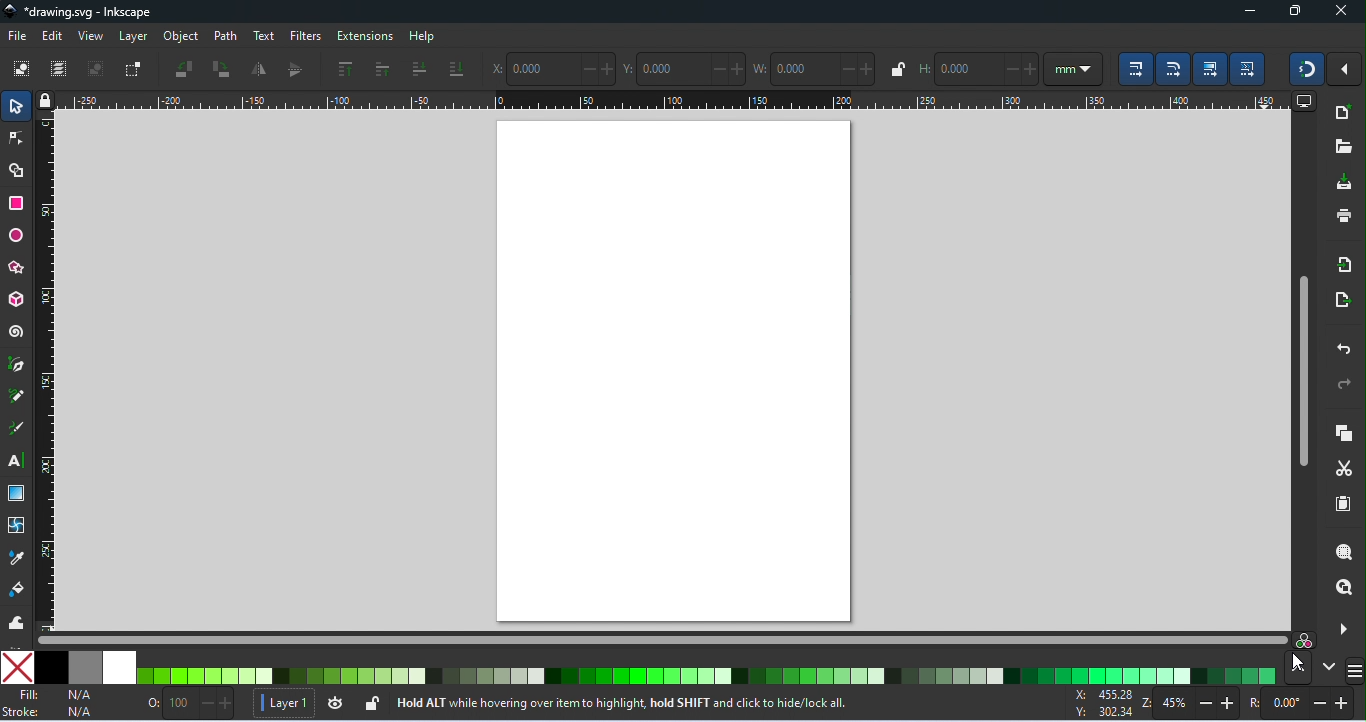 This screenshot has width=1366, height=722. I want to click on pen , so click(20, 365).